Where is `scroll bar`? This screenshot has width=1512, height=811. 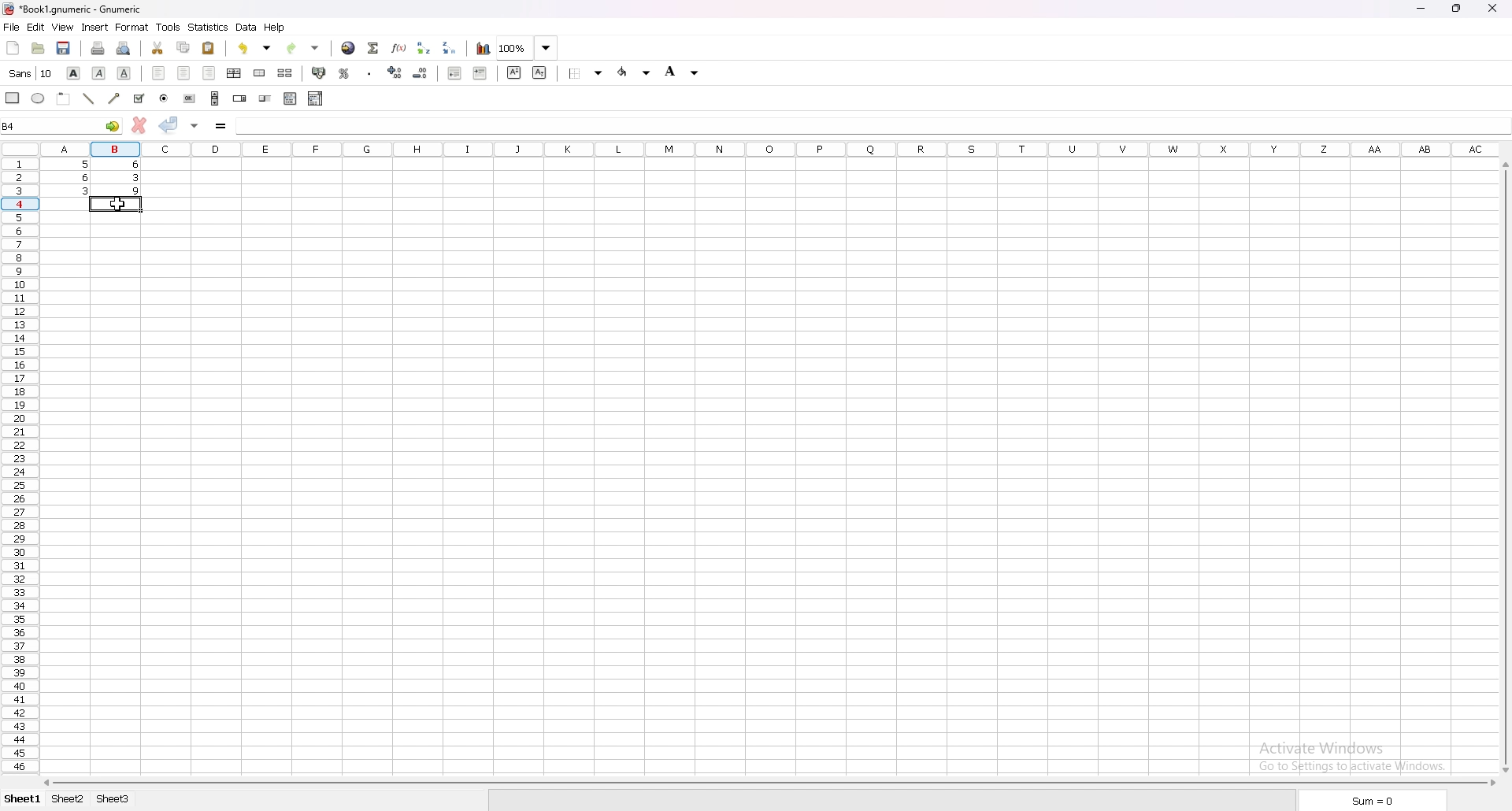 scroll bar is located at coordinates (1509, 465).